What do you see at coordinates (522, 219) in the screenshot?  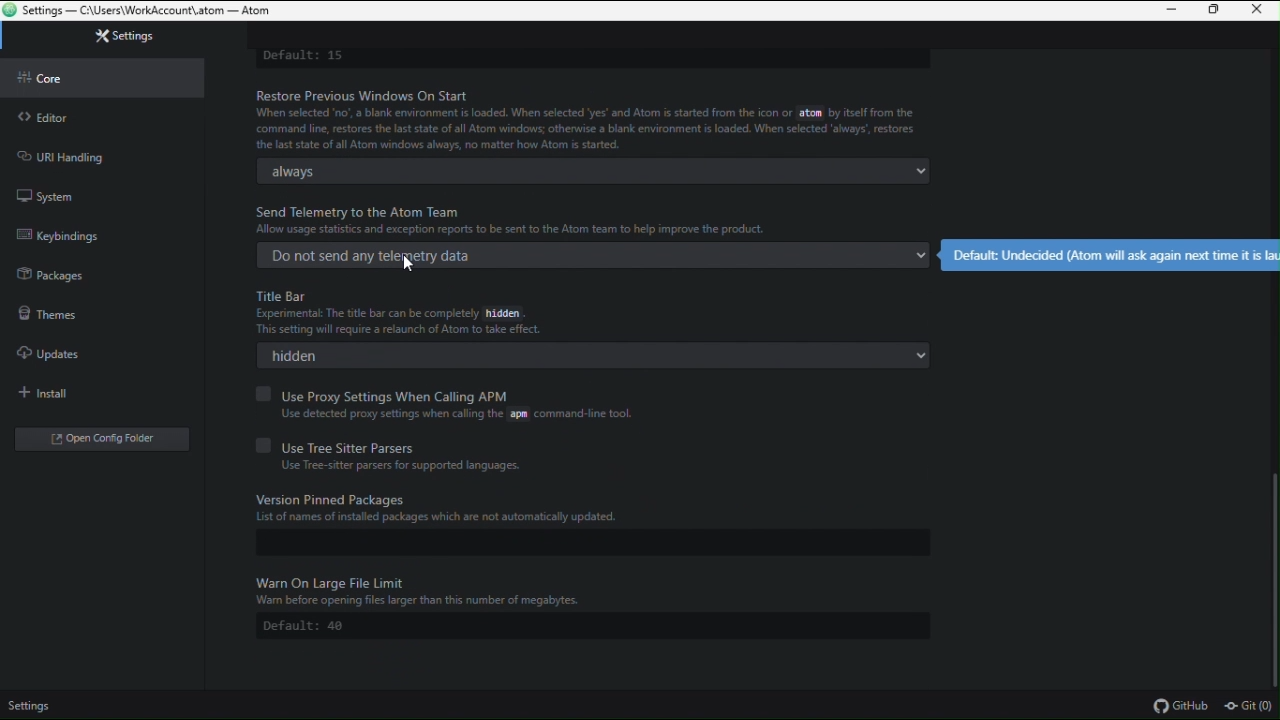 I see `Send Telemetry to the Atom Team Allow usage statistics and exception reports to be sent to the Atom to help improve the product` at bounding box center [522, 219].